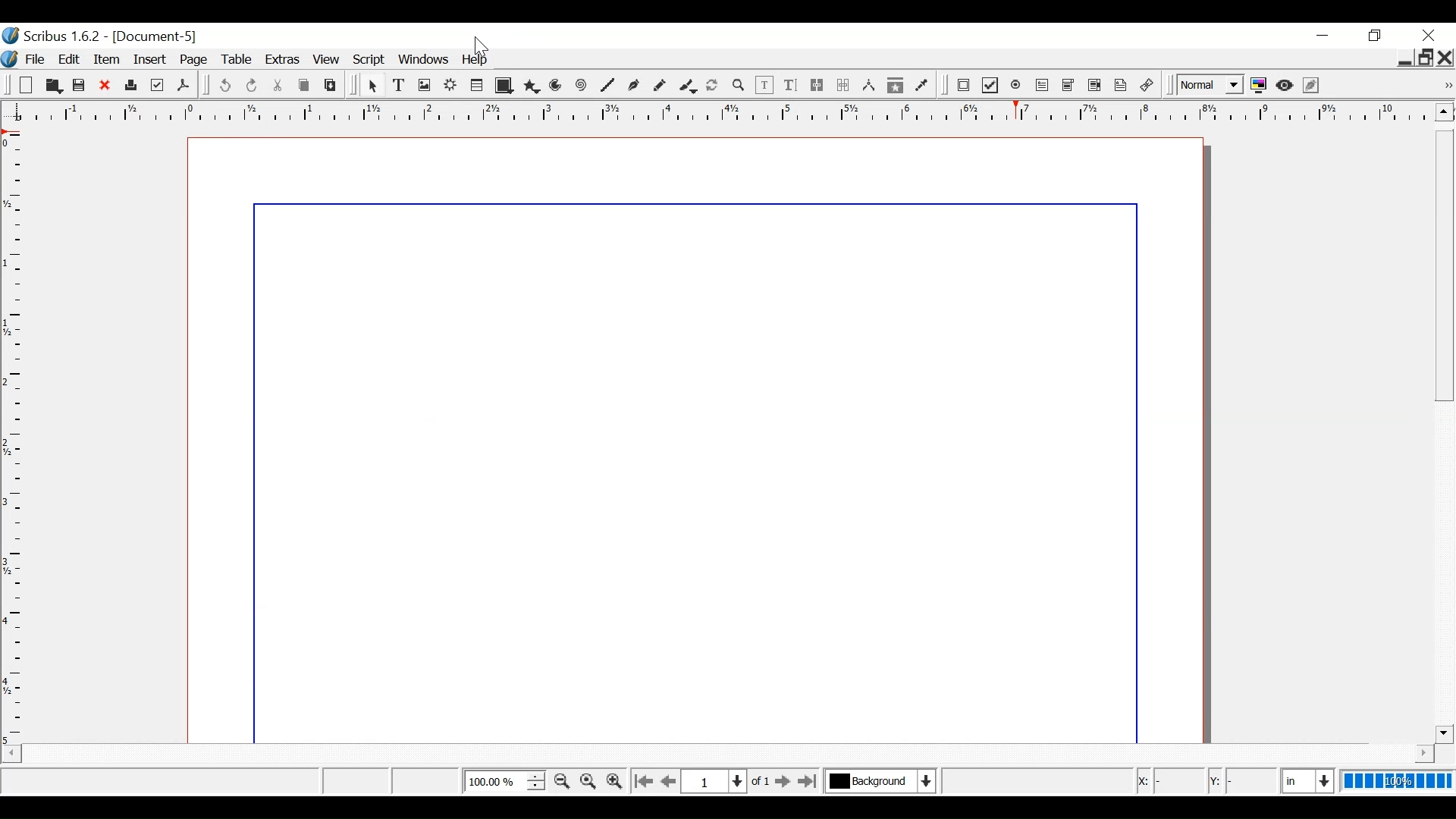 The height and width of the screenshot is (819, 1456). Describe the element at coordinates (224, 86) in the screenshot. I see `Undo` at that location.